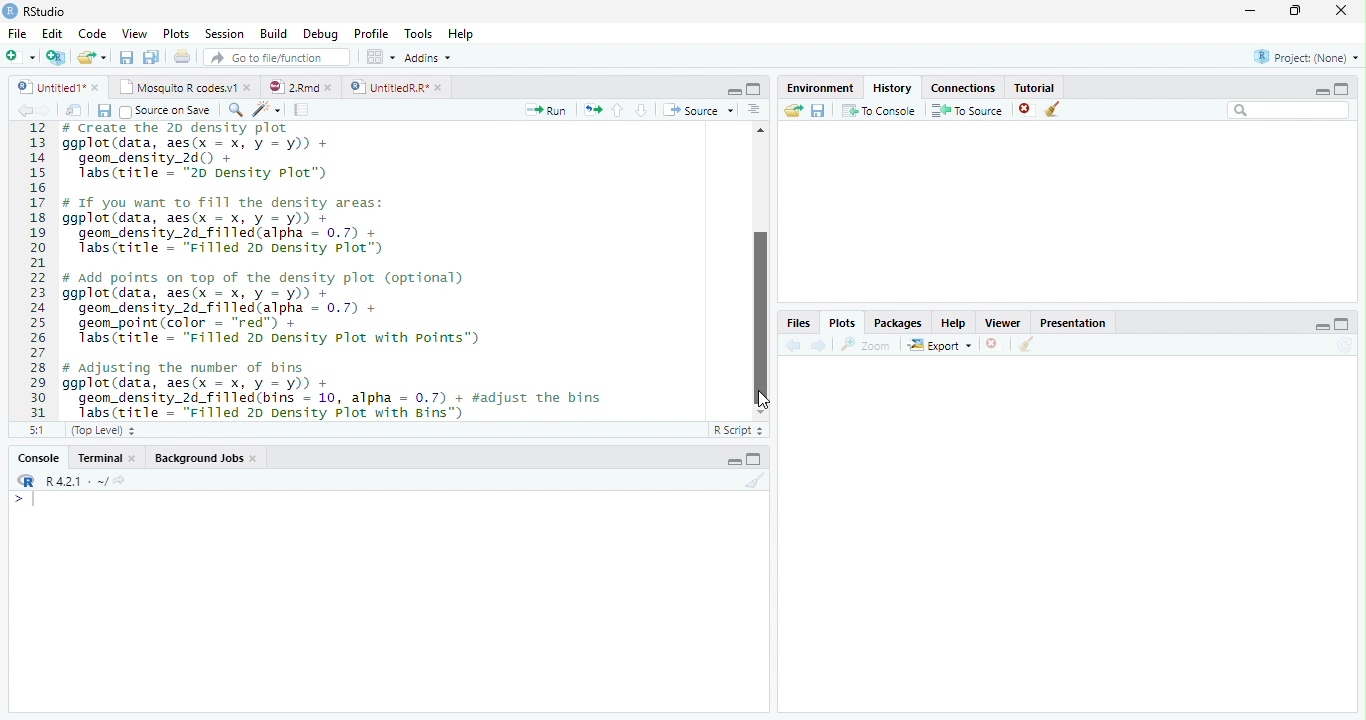  What do you see at coordinates (818, 88) in the screenshot?
I see `Environment` at bounding box center [818, 88].